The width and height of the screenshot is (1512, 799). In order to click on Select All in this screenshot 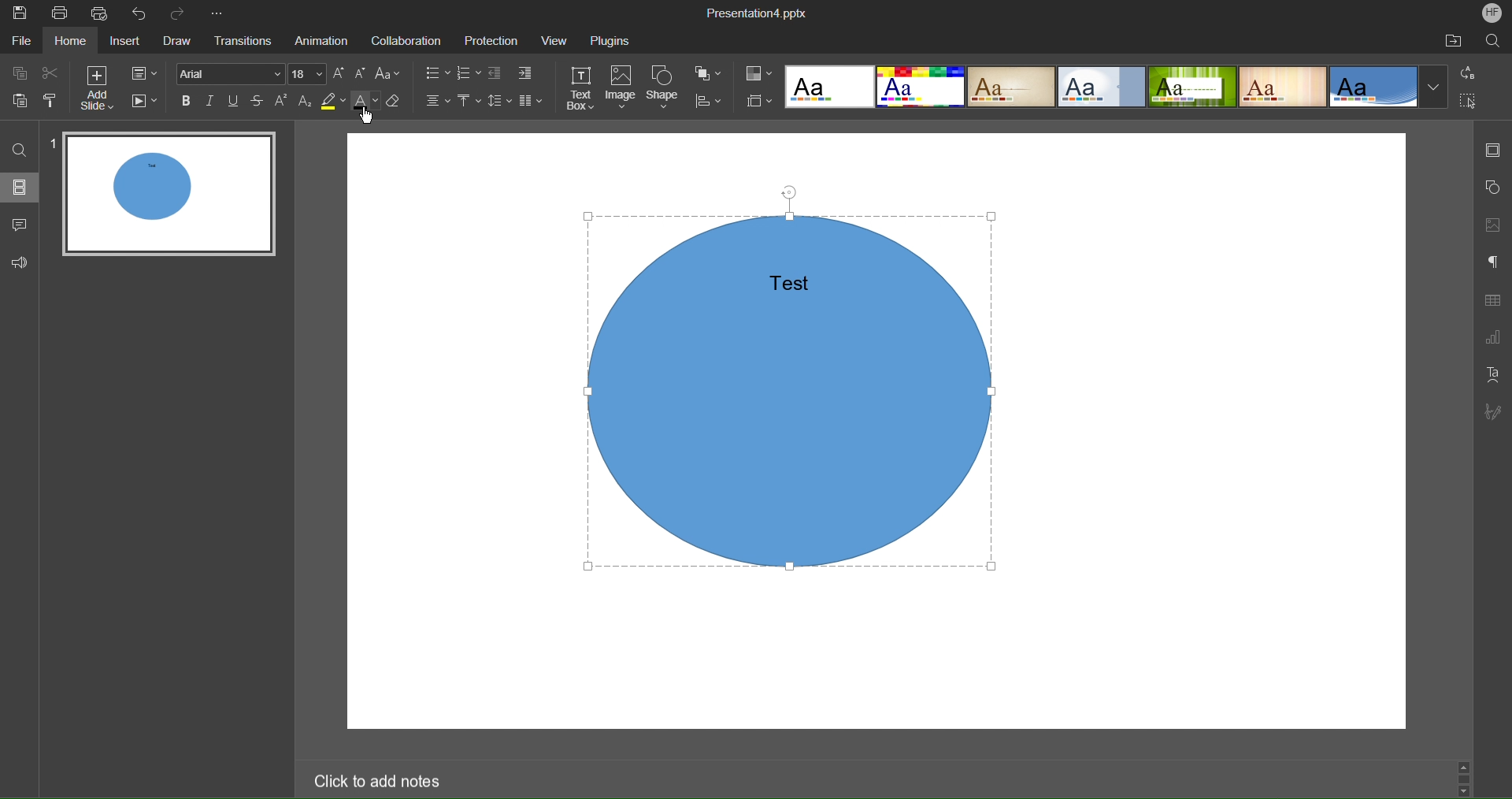, I will do `click(1470, 100)`.